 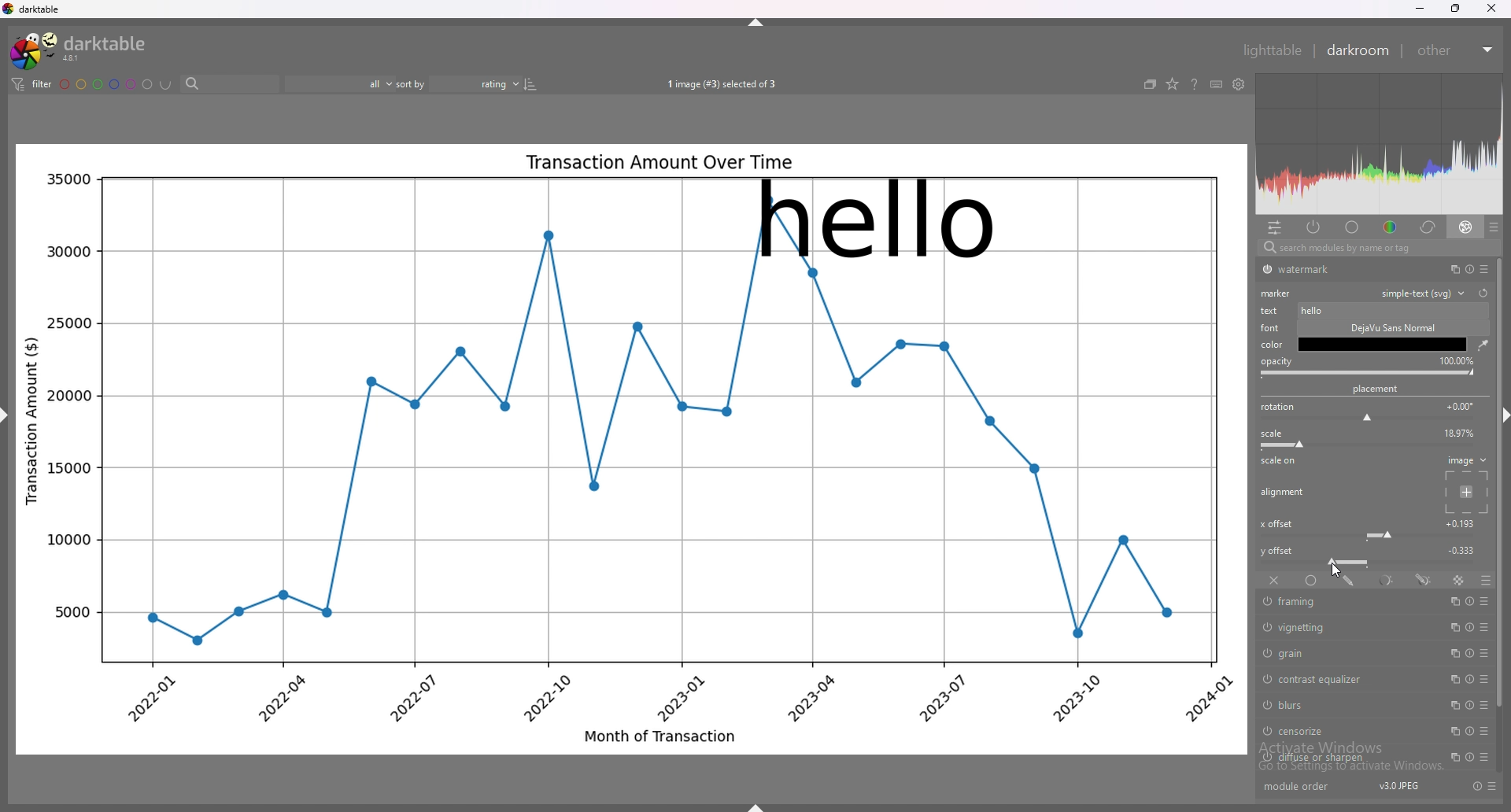 I want to click on y offset bar, so click(x=1368, y=563).